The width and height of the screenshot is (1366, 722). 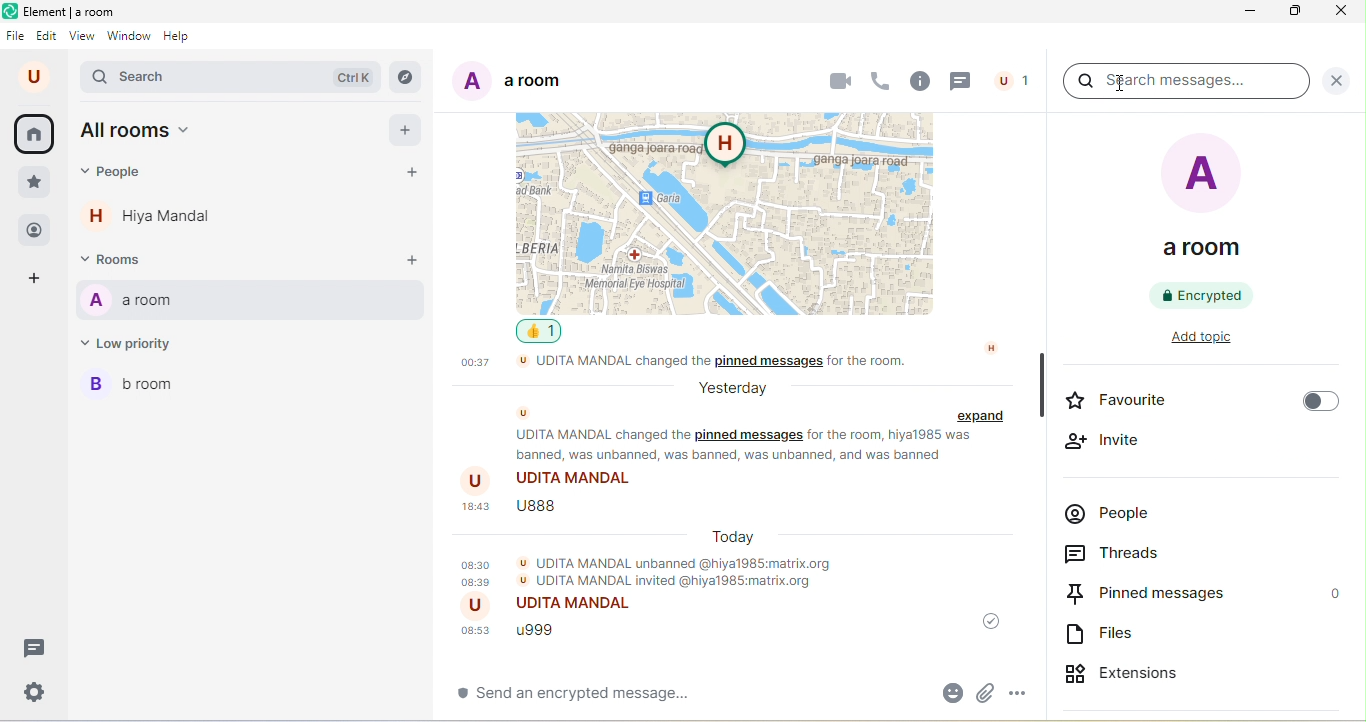 I want to click on send an encrypted message, so click(x=601, y=698).